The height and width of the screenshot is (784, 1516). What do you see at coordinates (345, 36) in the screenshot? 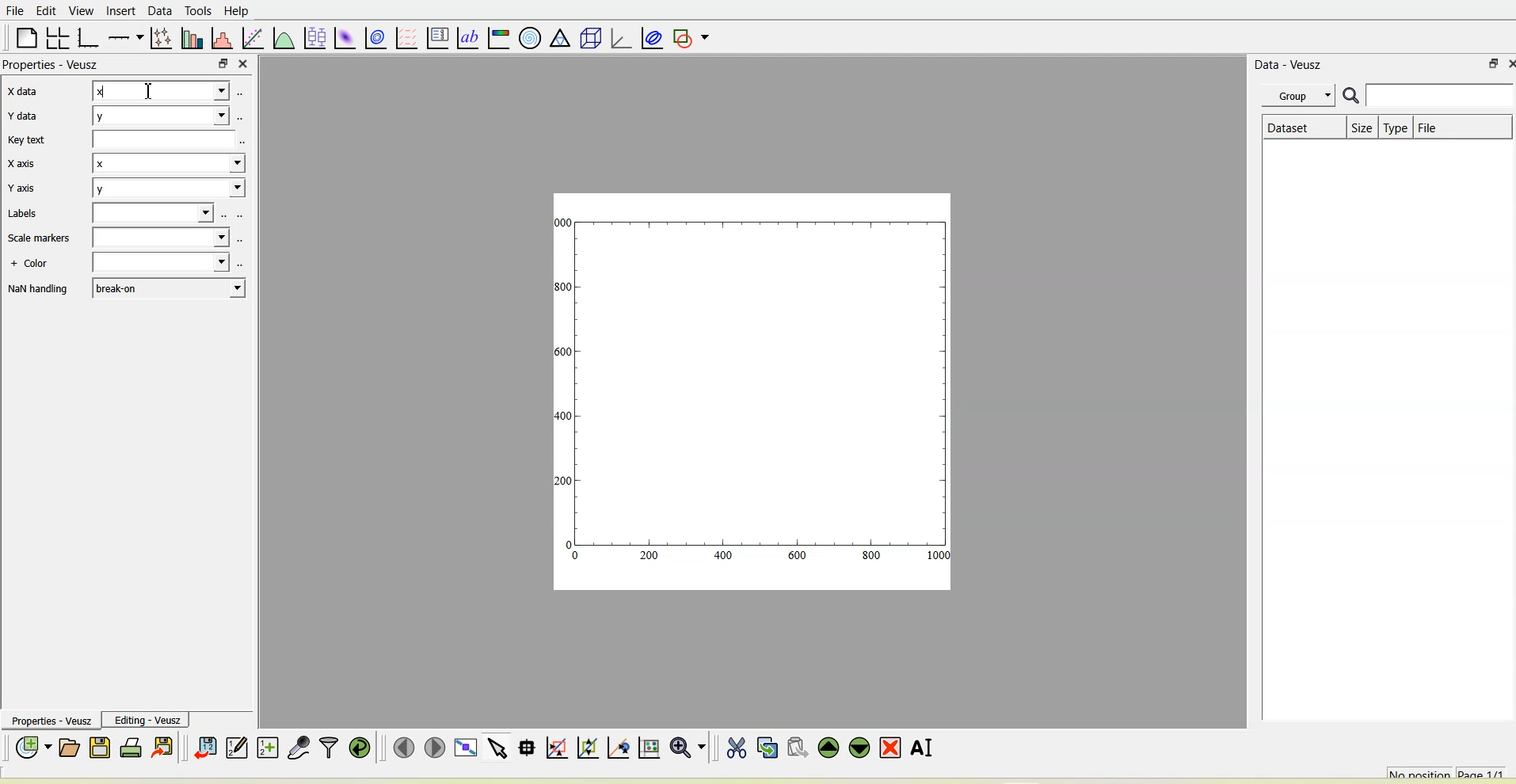
I see `Plot a 2d dataset as an image` at bounding box center [345, 36].